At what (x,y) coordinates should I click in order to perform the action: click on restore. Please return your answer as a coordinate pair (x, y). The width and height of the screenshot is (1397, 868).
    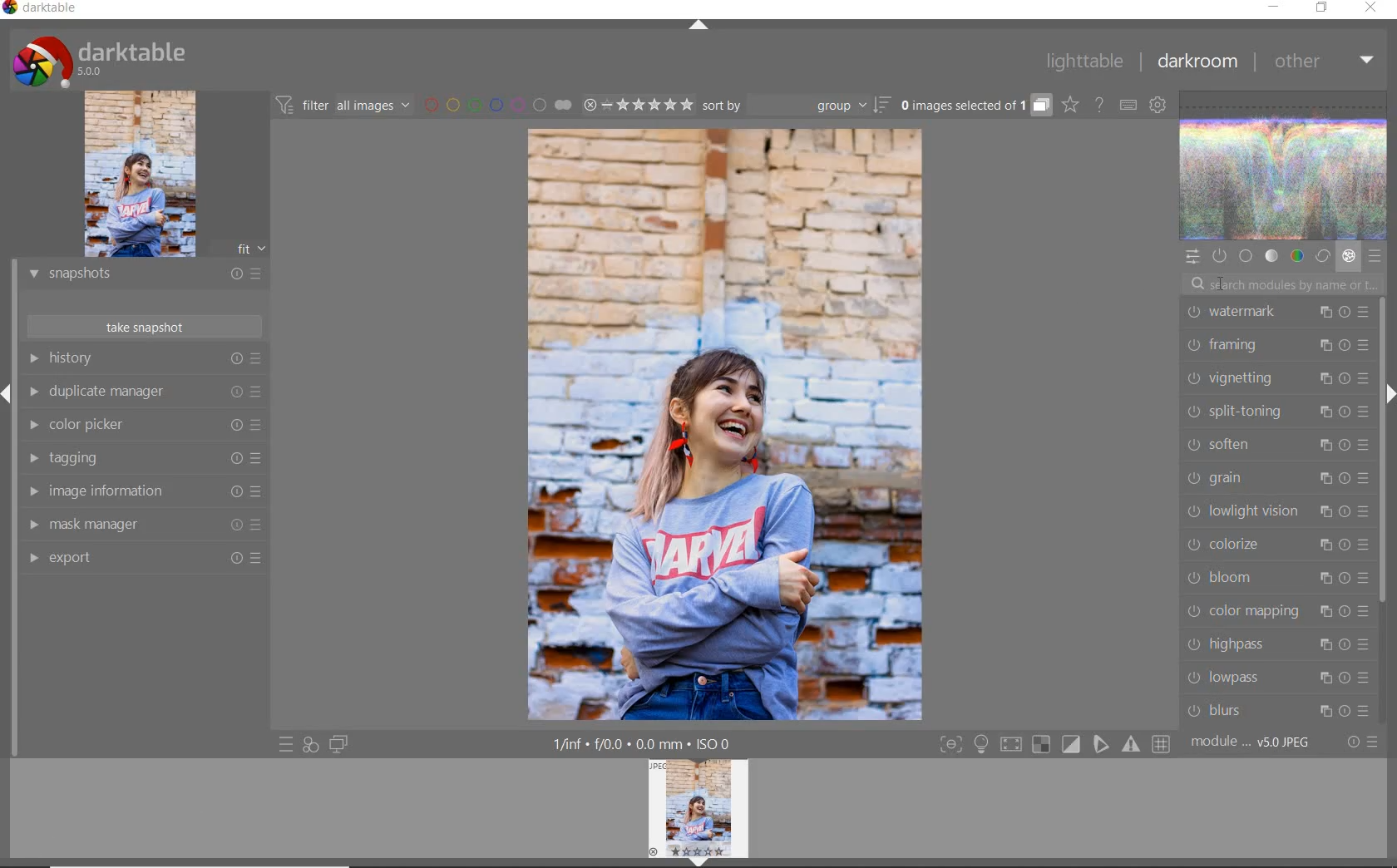
    Looking at the image, I should click on (1322, 9).